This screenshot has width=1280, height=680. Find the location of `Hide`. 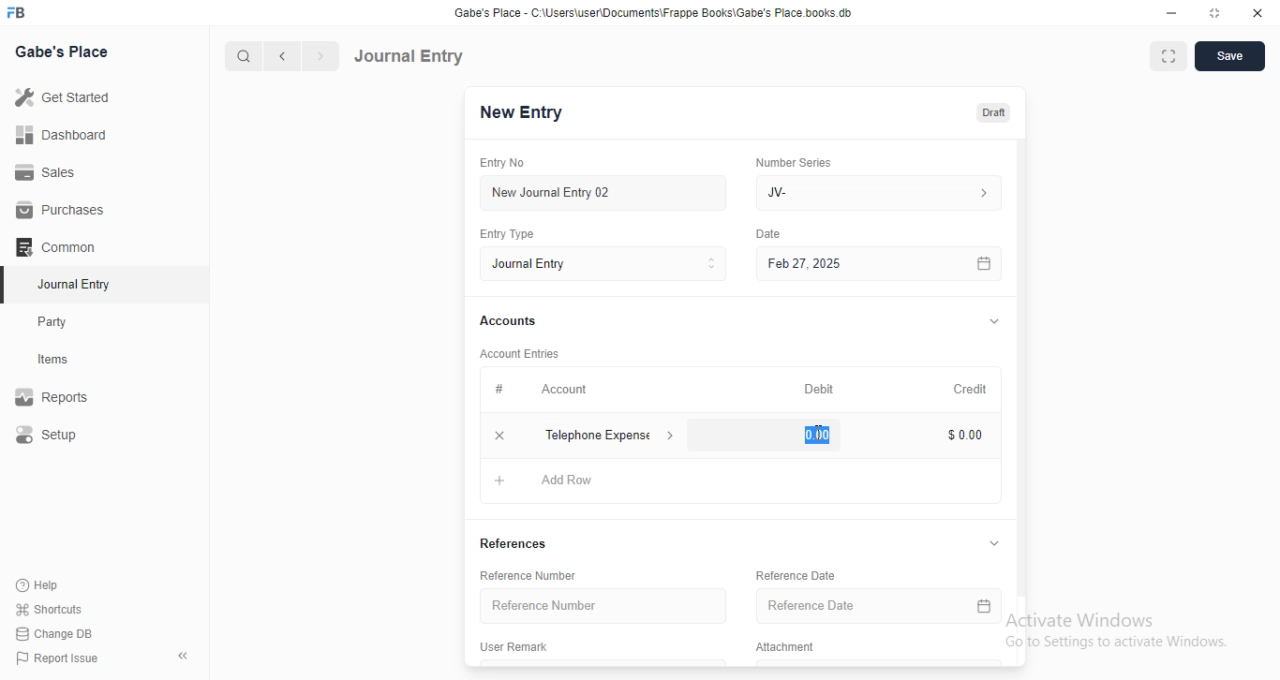

Hide is located at coordinates (995, 320).